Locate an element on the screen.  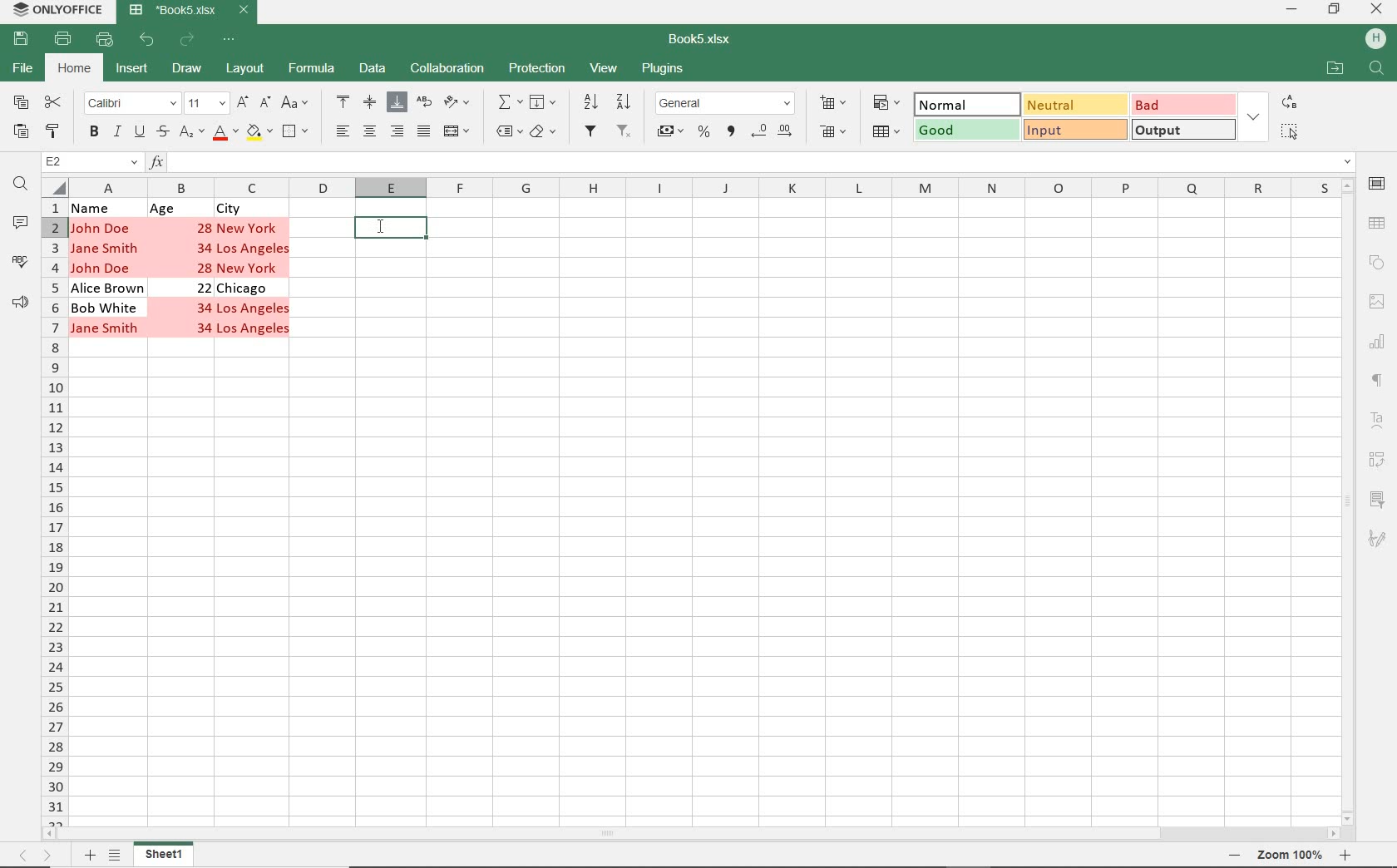
ROWS is located at coordinates (54, 513).